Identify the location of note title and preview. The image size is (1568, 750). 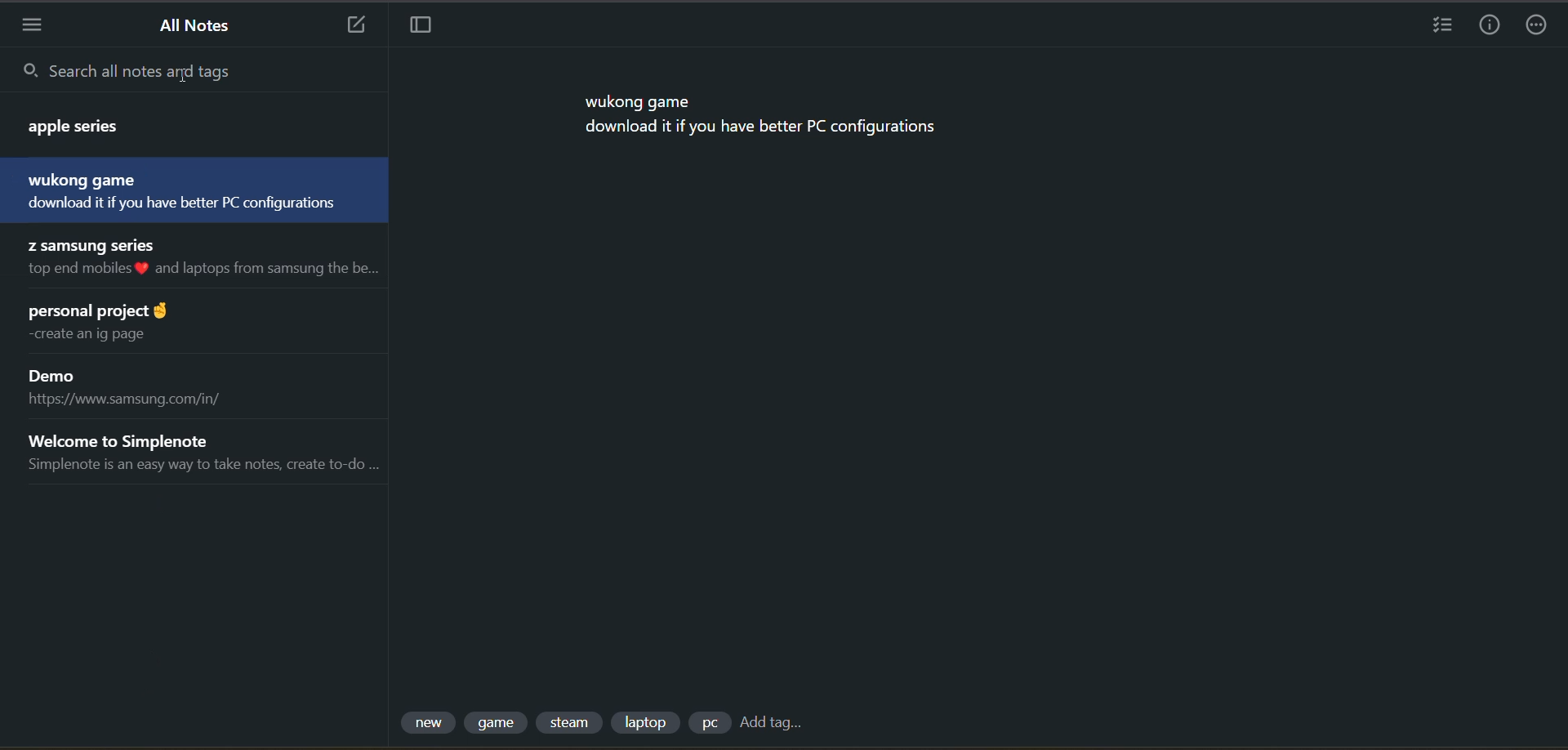
(200, 257).